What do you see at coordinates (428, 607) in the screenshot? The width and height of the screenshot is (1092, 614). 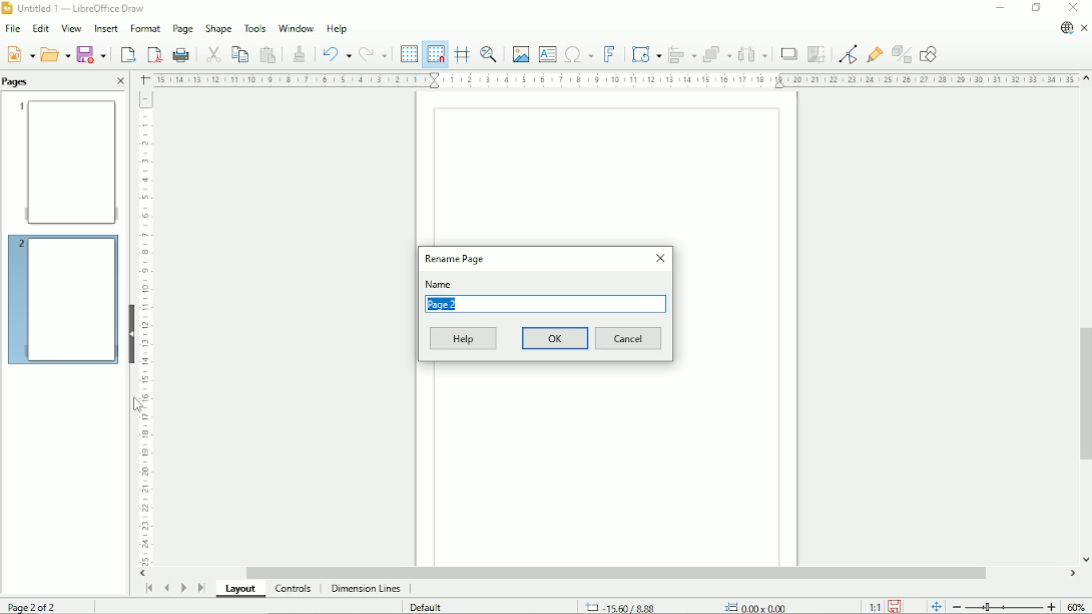 I see `Default` at bounding box center [428, 607].